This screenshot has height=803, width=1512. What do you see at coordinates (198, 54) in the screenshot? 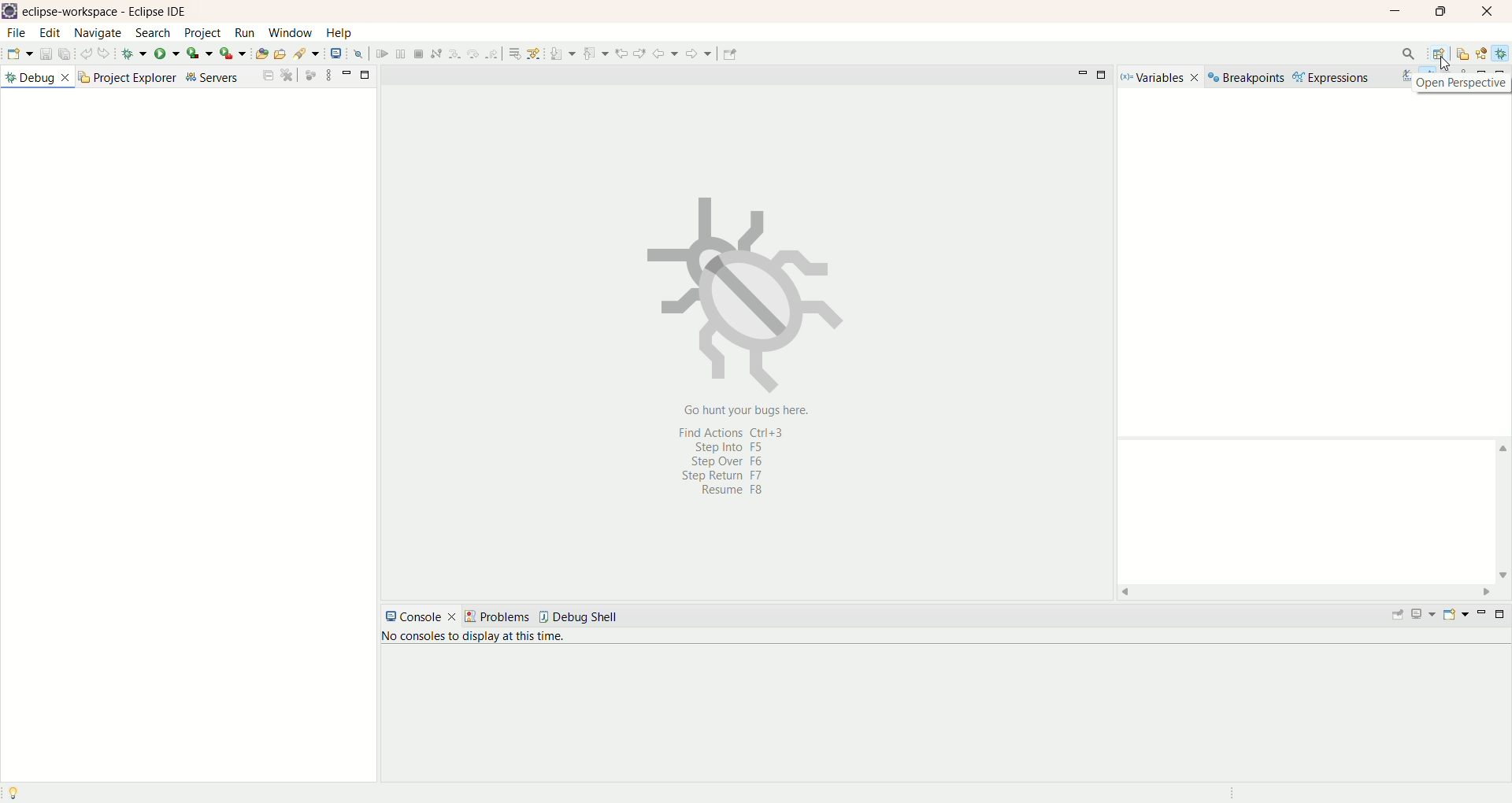
I see `coverage` at bounding box center [198, 54].